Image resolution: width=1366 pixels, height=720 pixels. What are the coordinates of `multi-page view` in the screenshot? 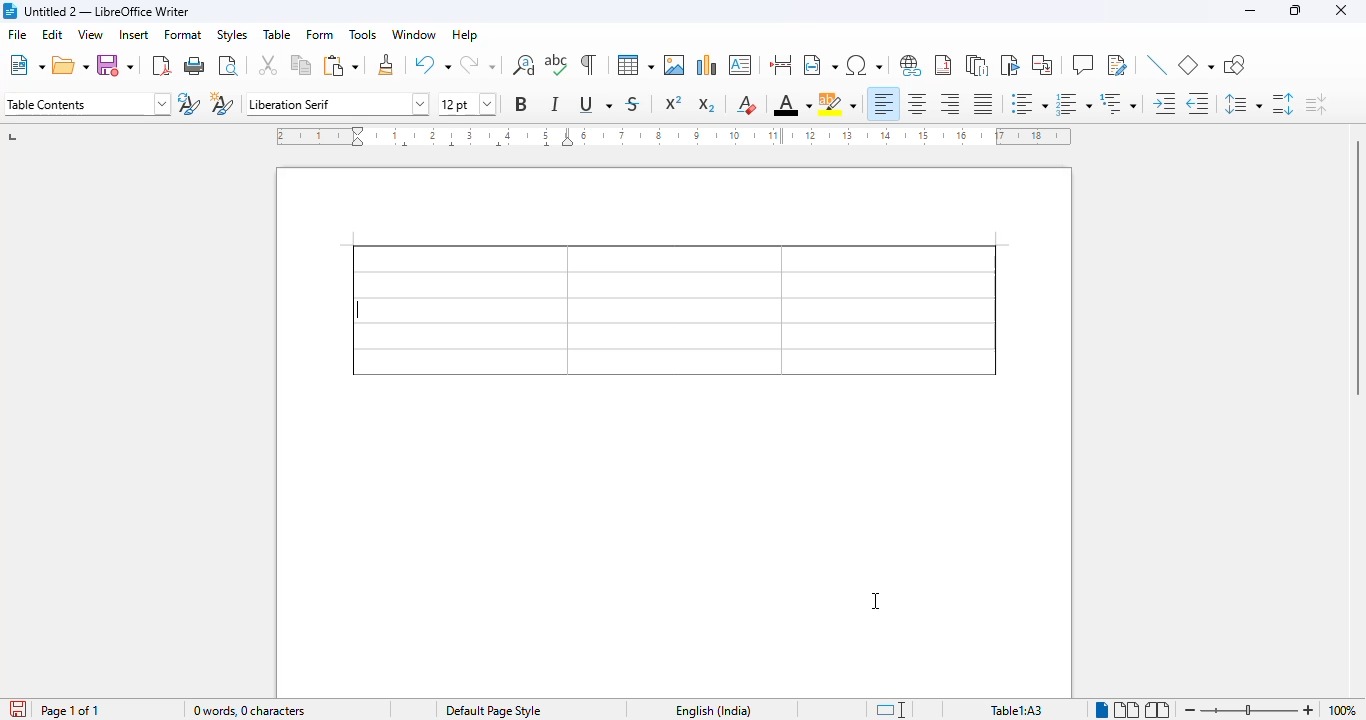 It's located at (1127, 709).